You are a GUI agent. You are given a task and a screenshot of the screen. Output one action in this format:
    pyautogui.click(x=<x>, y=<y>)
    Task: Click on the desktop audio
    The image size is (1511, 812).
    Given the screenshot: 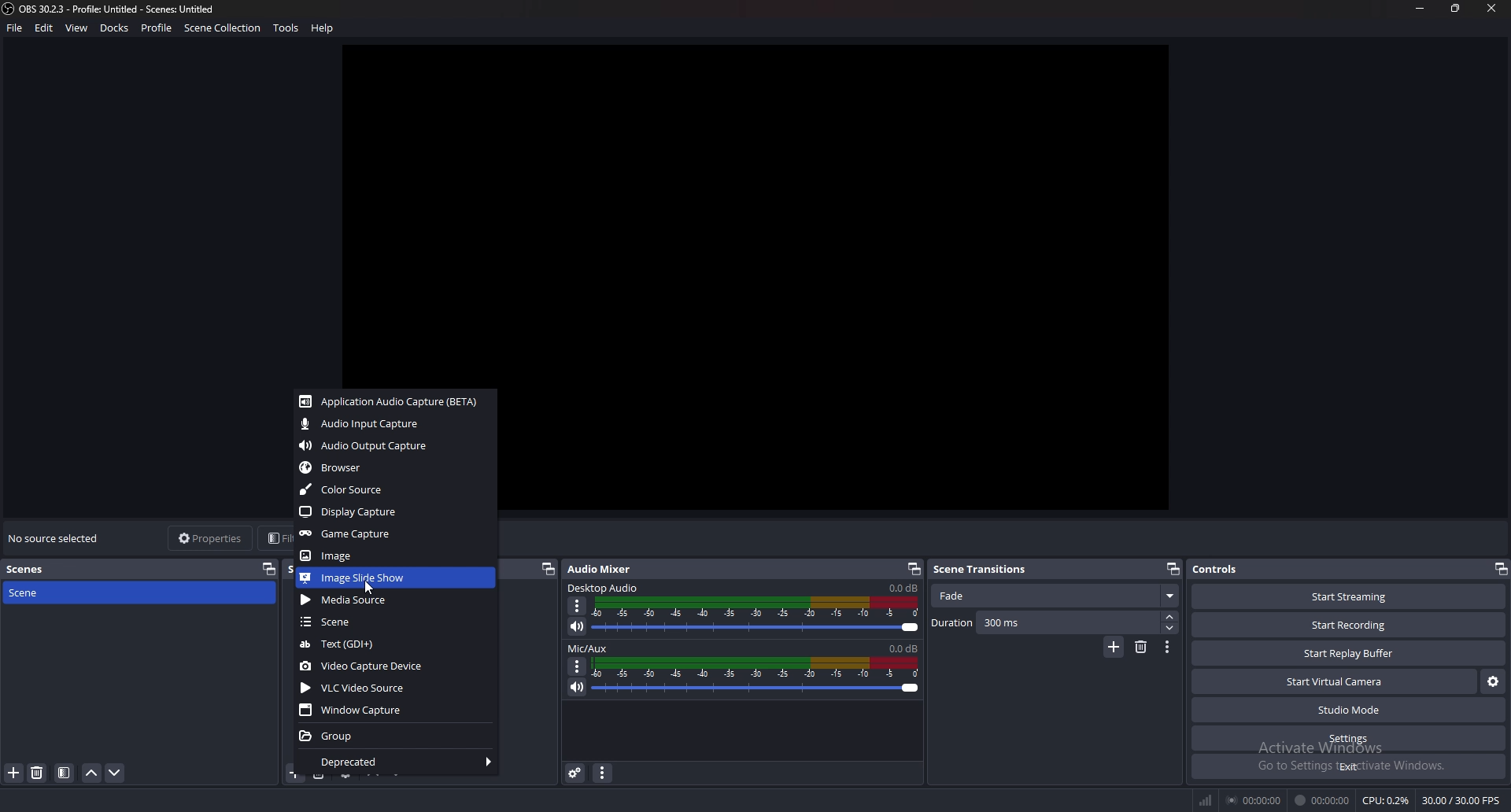 What is the action you would take?
    pyautogui.click(x=604, y=588)
    